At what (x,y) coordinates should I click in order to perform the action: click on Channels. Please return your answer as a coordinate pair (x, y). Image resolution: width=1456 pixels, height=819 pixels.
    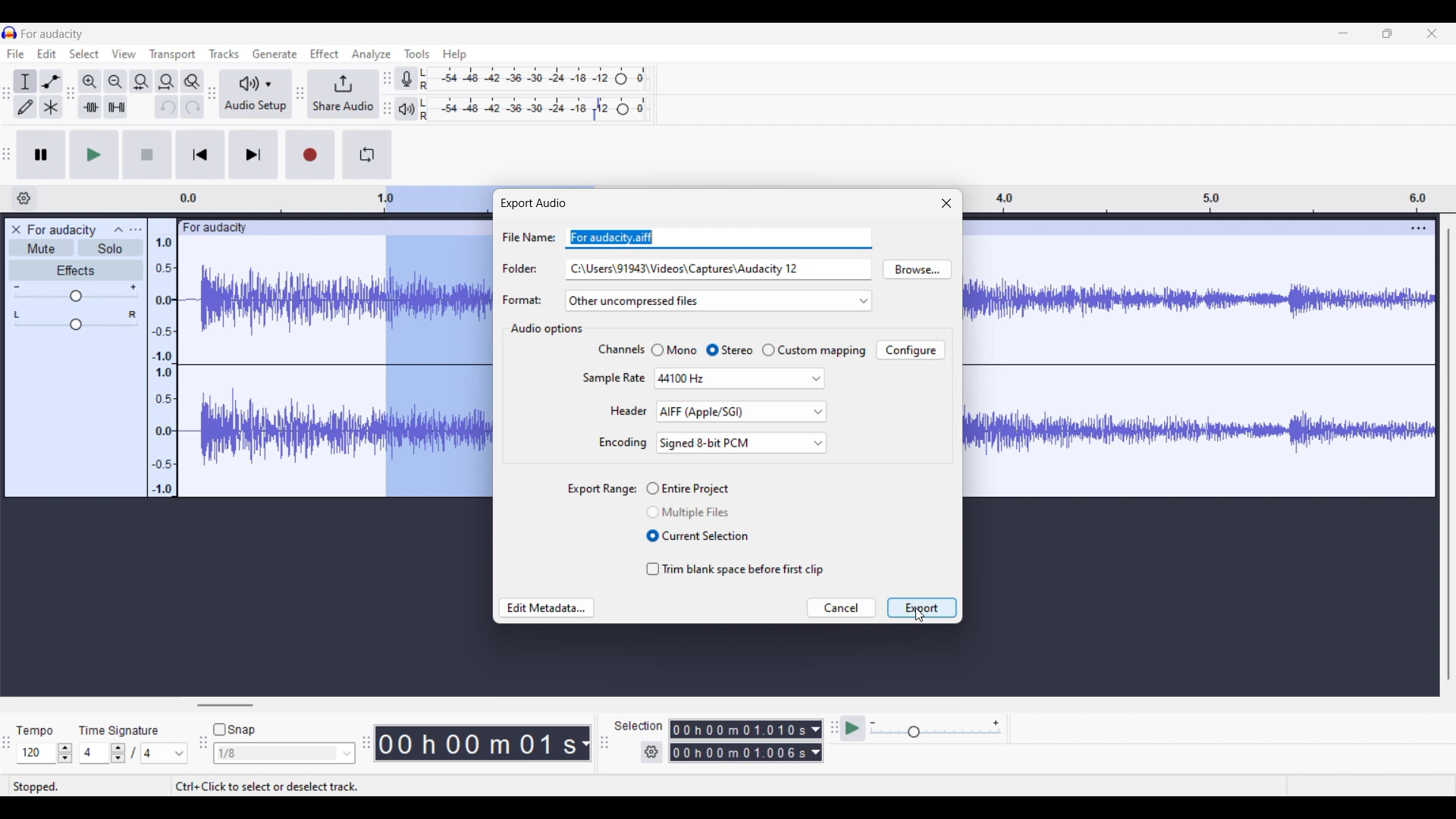
    Looking at the image, I should click on (617, 350).